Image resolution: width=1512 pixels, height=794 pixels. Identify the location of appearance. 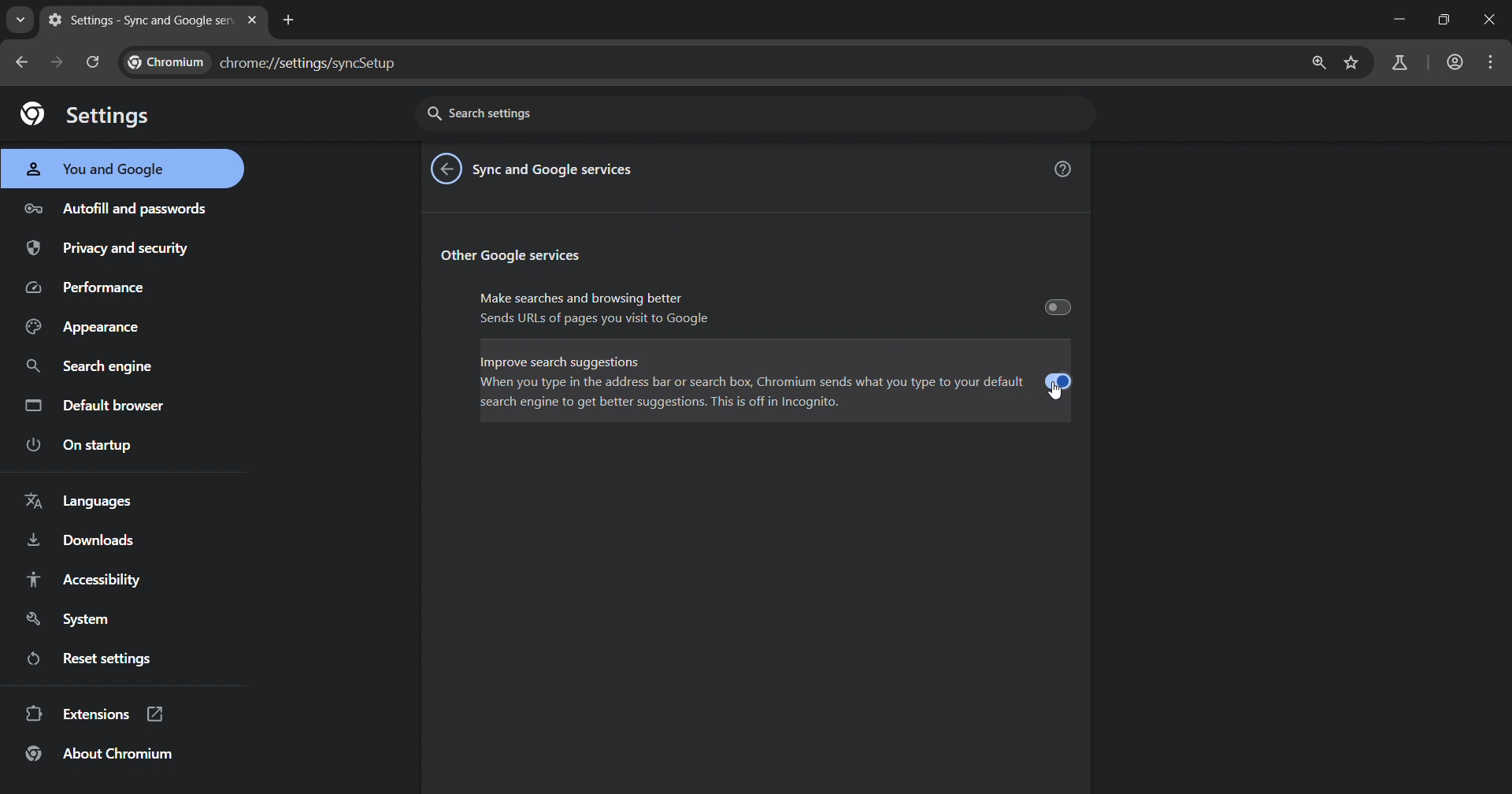
(80, 329).